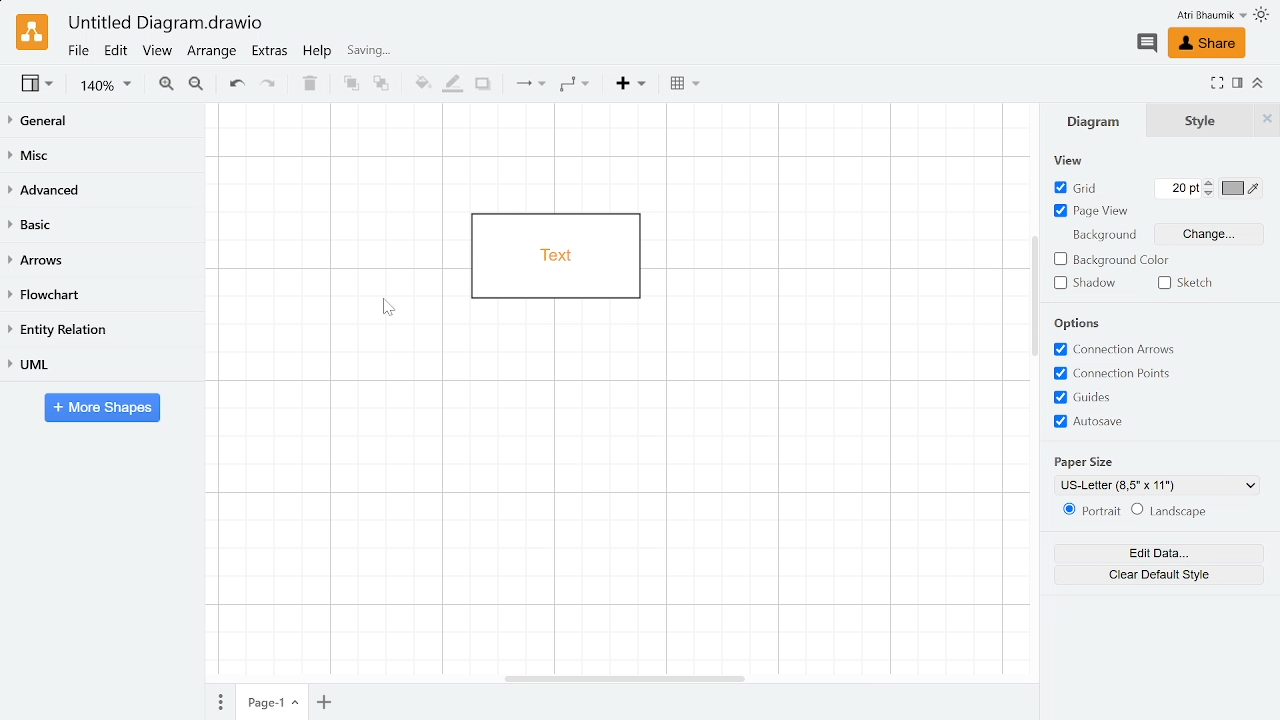 The height and width of the screenshot is (720, 1280). Describe the element at coordinates (453, 82) in the screenshot. I see `Fill line` at that location.